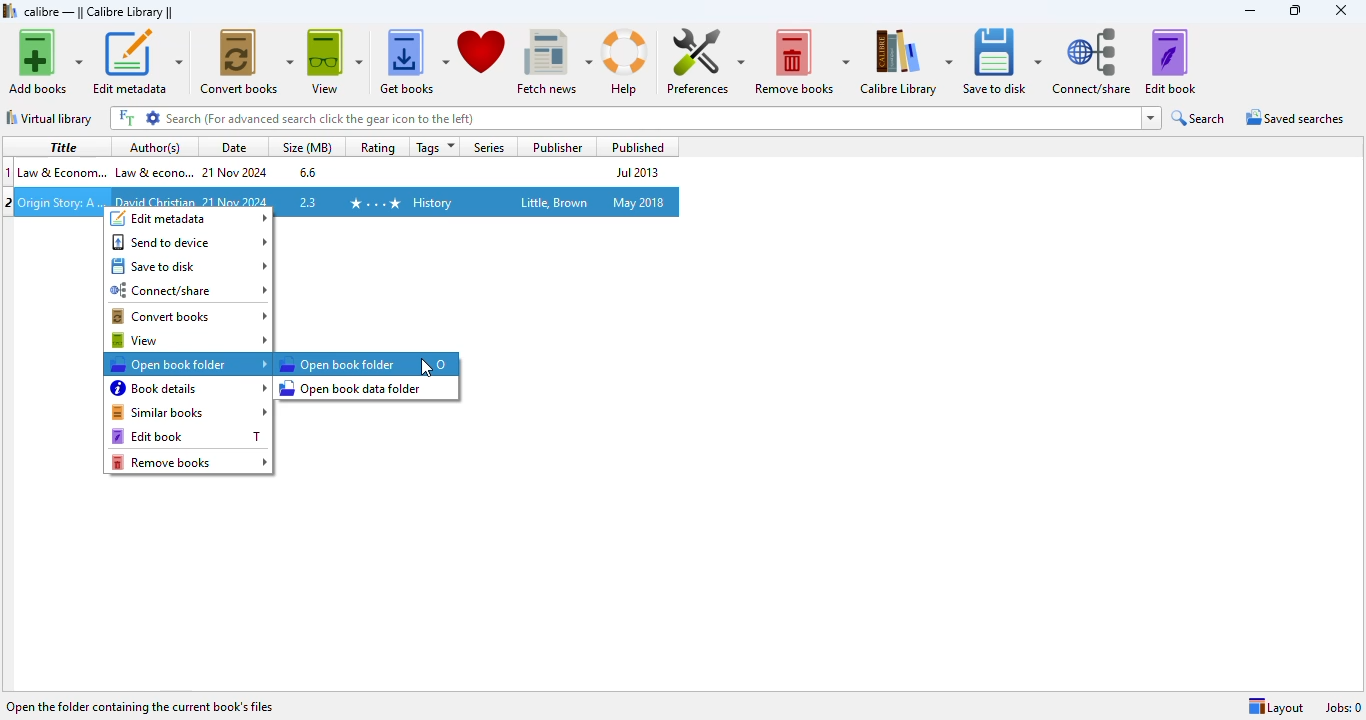 This screenshot has width=1366, height=720. What do you see at coordinates (60, 146) in the screenshot?
I see `title` at bounding box center [60, 146].